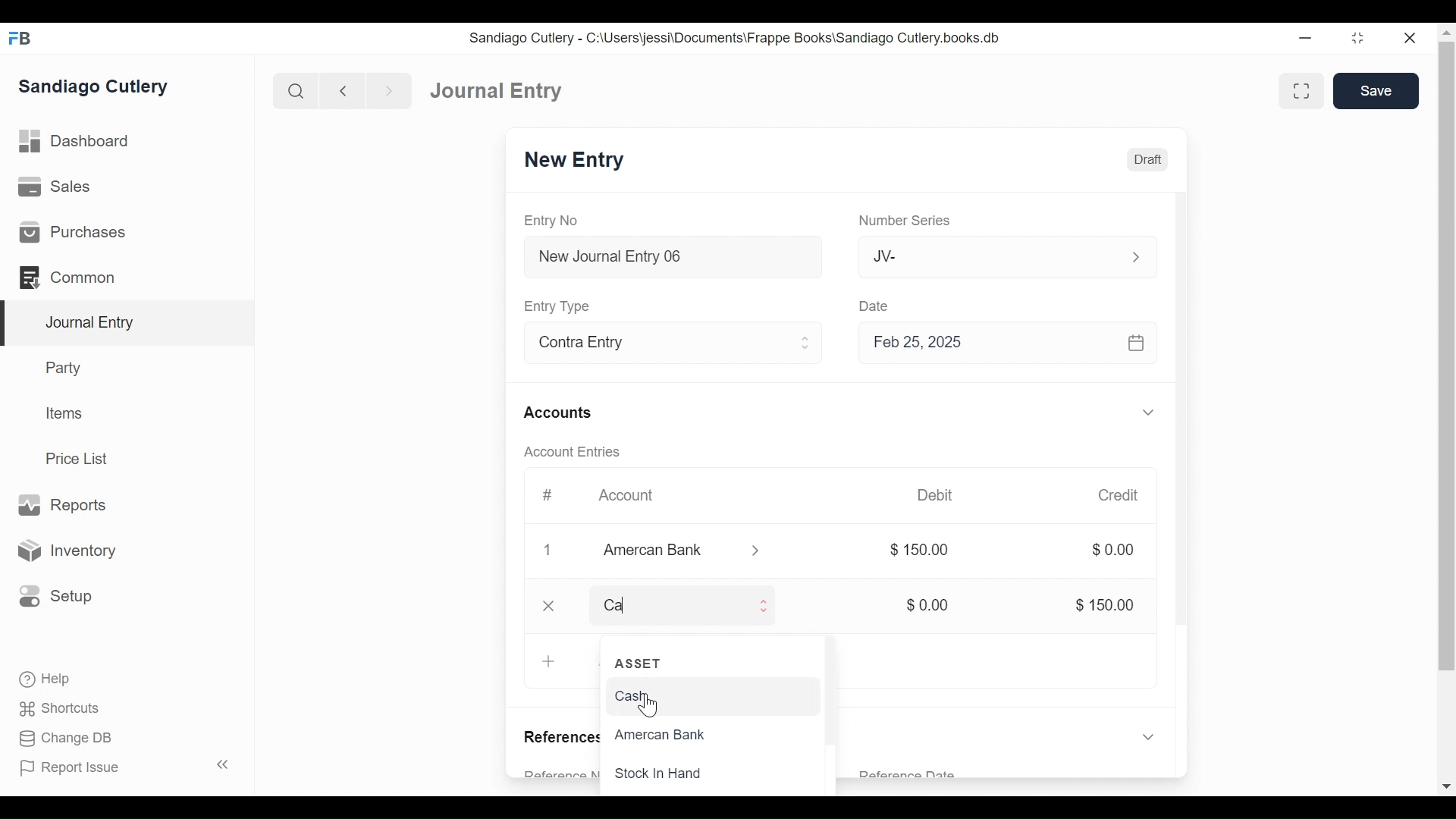  Describe the element at coordinates (64, 551) in the screenshot. I see `Inventory` at that location.